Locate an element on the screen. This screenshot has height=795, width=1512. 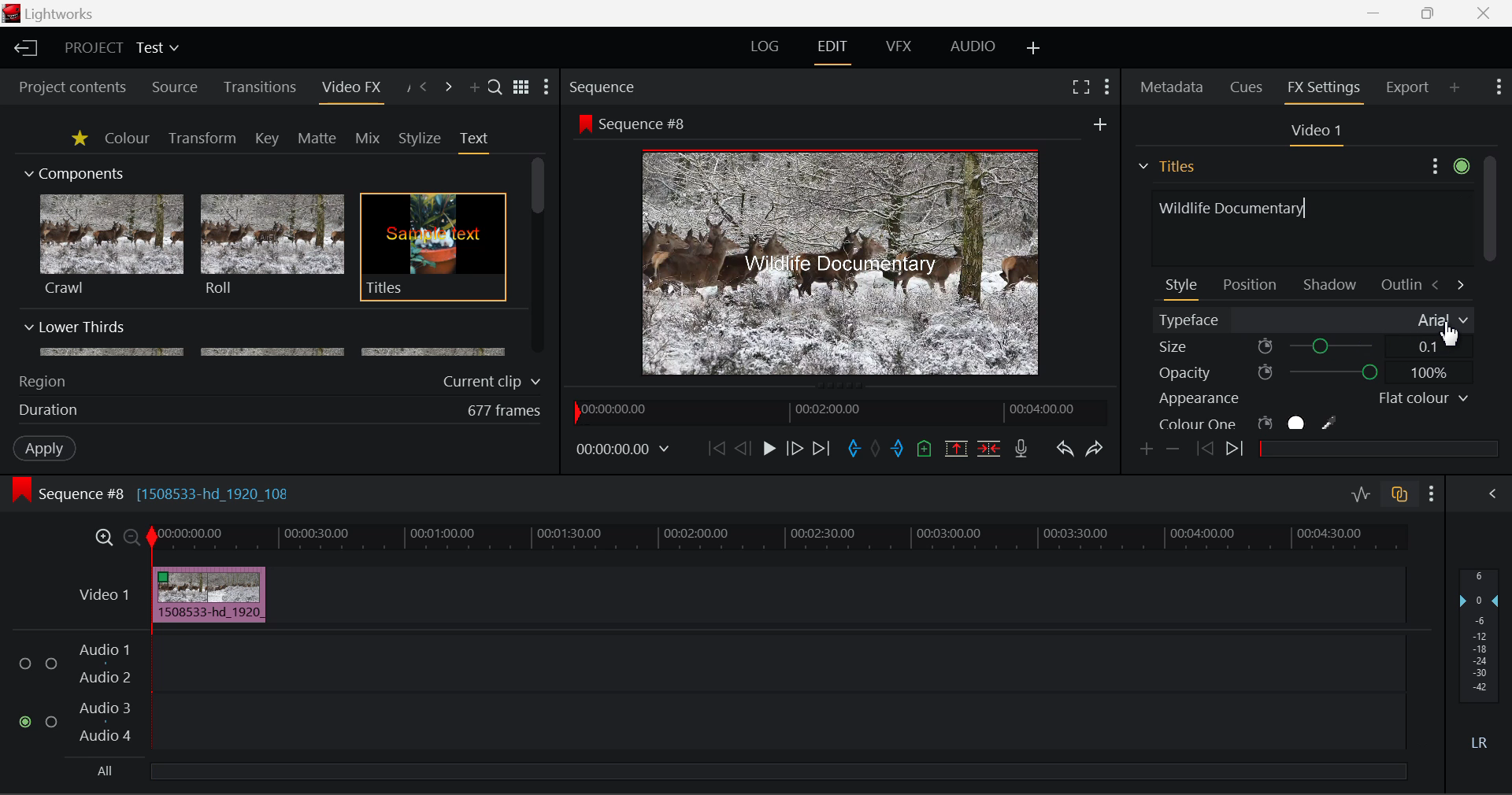
Position is located at coordinates (1252, 283).